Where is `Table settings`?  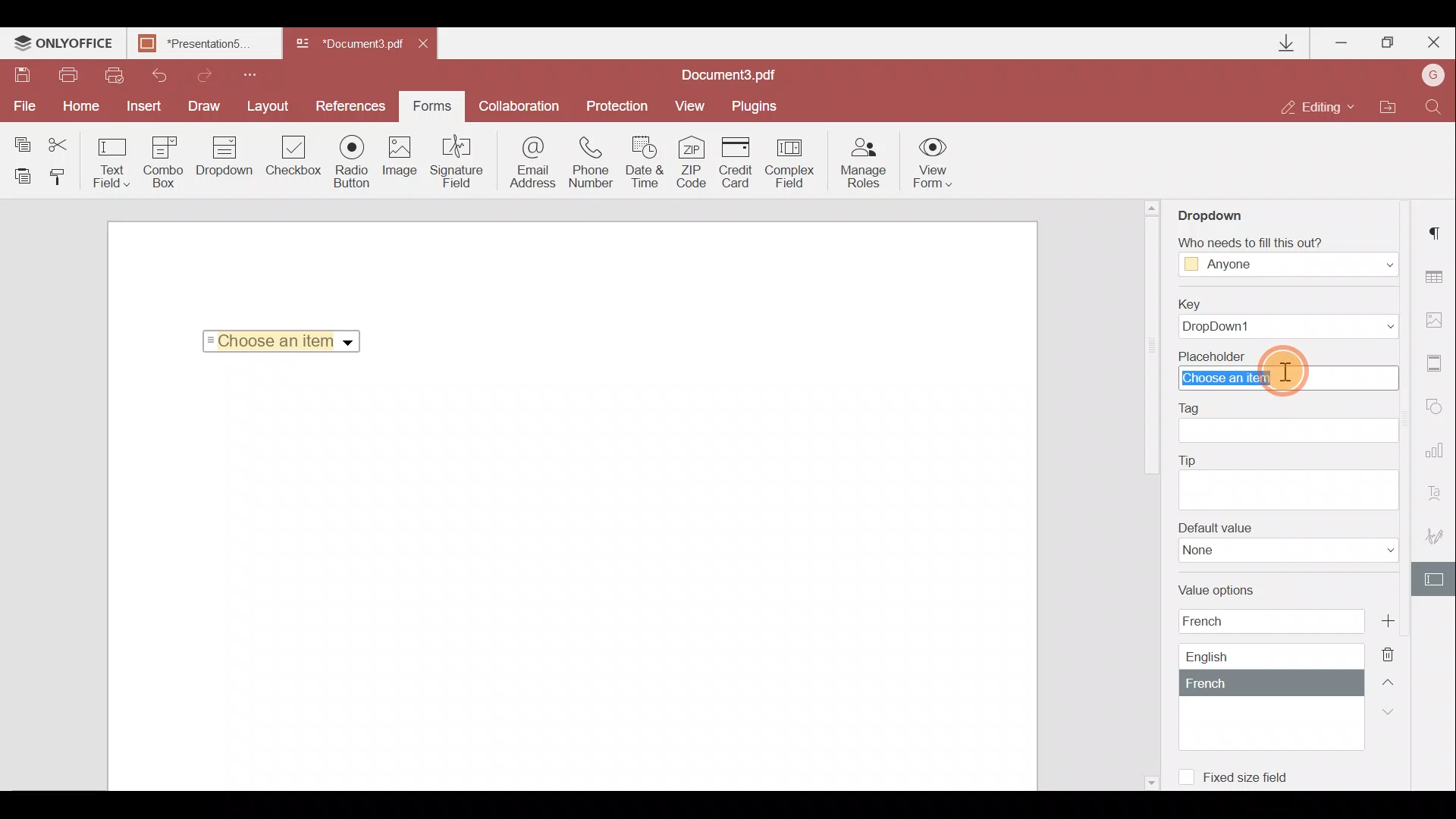
Table settings is located at coordinates (1436, 277).